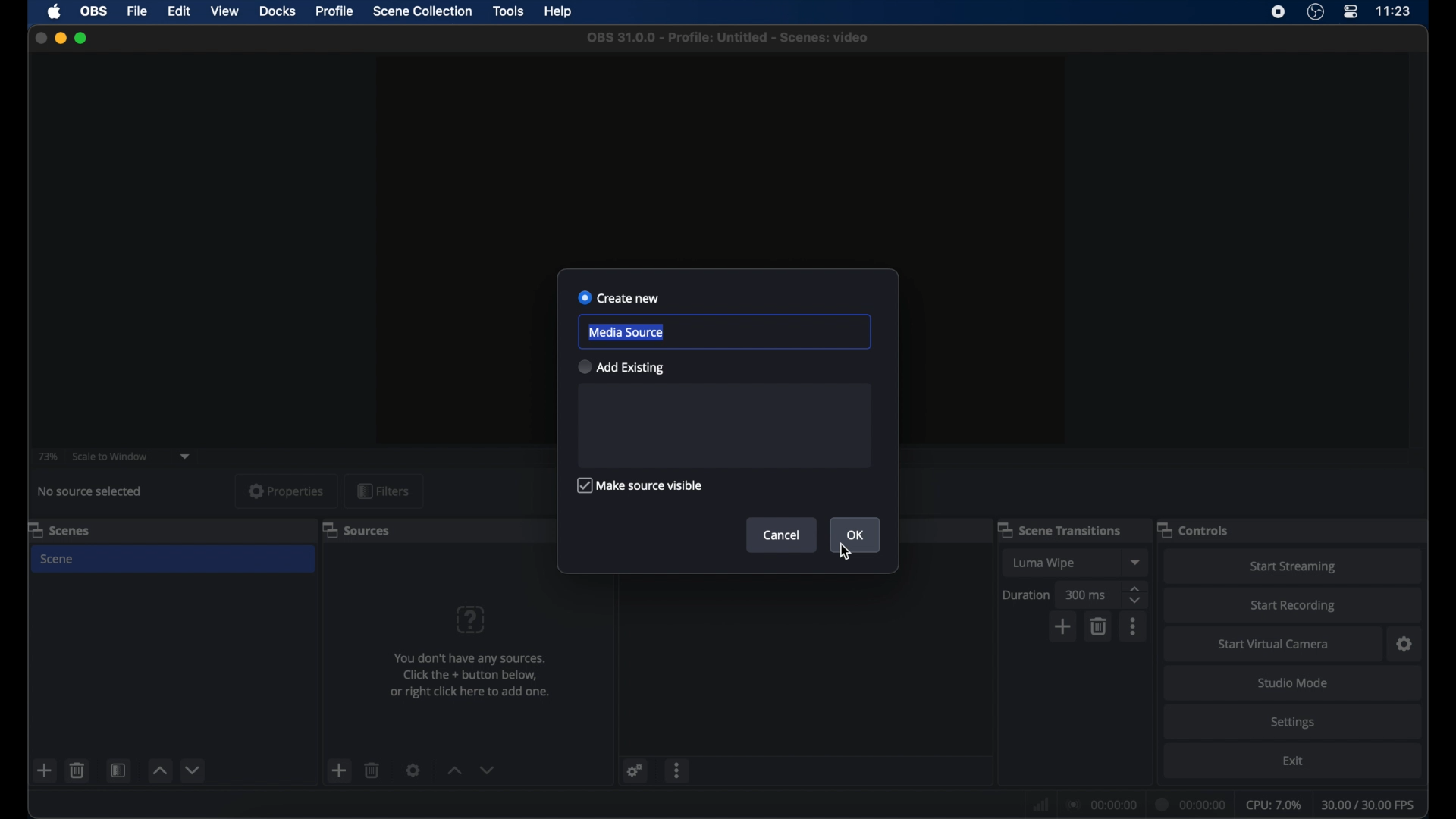  Describe the element at coordinates (47, 457) in the screenshot. I see `73%` at that location.